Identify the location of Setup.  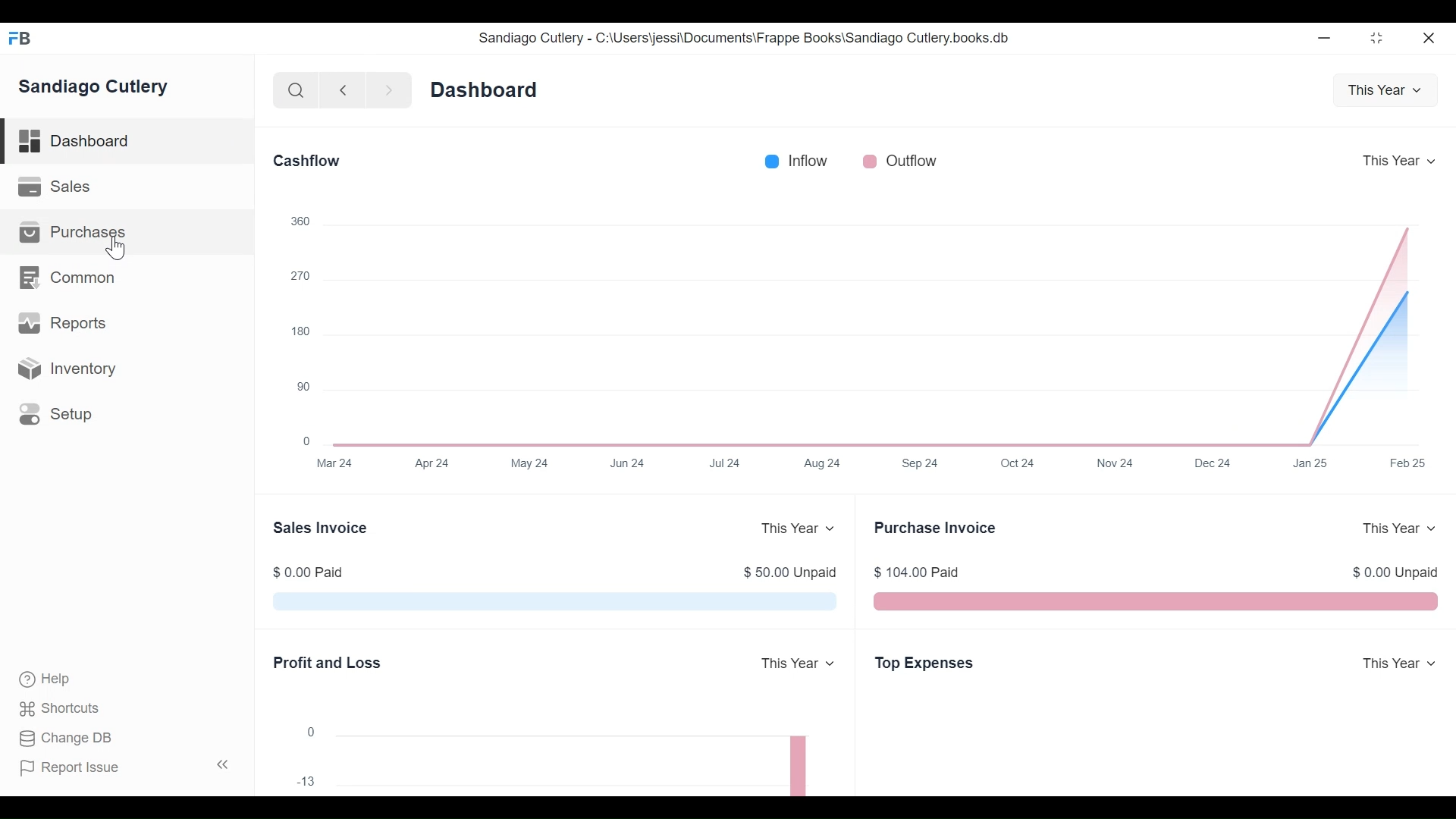
(60, 415).